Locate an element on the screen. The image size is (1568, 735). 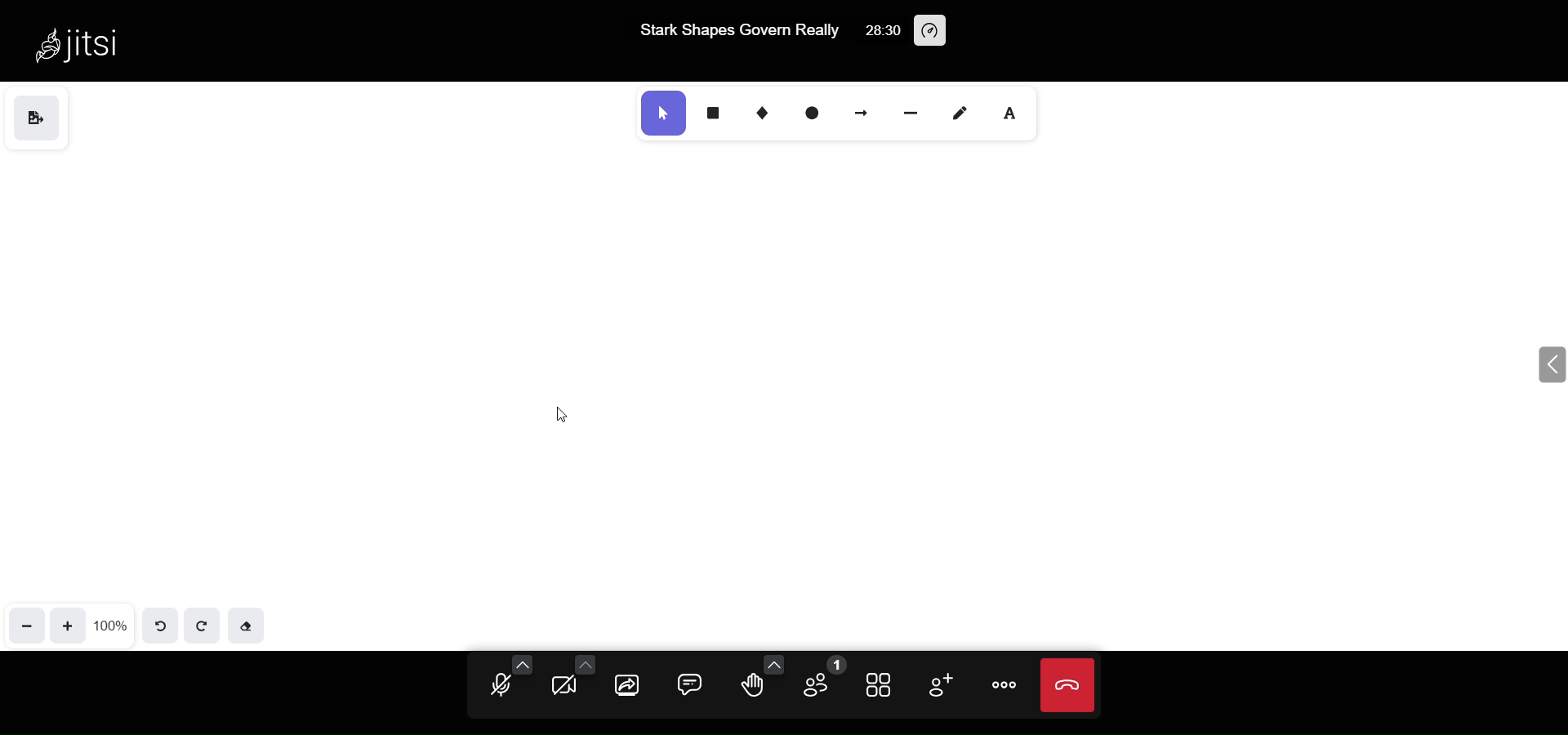
28:30 is located at coordinates (880, 29).